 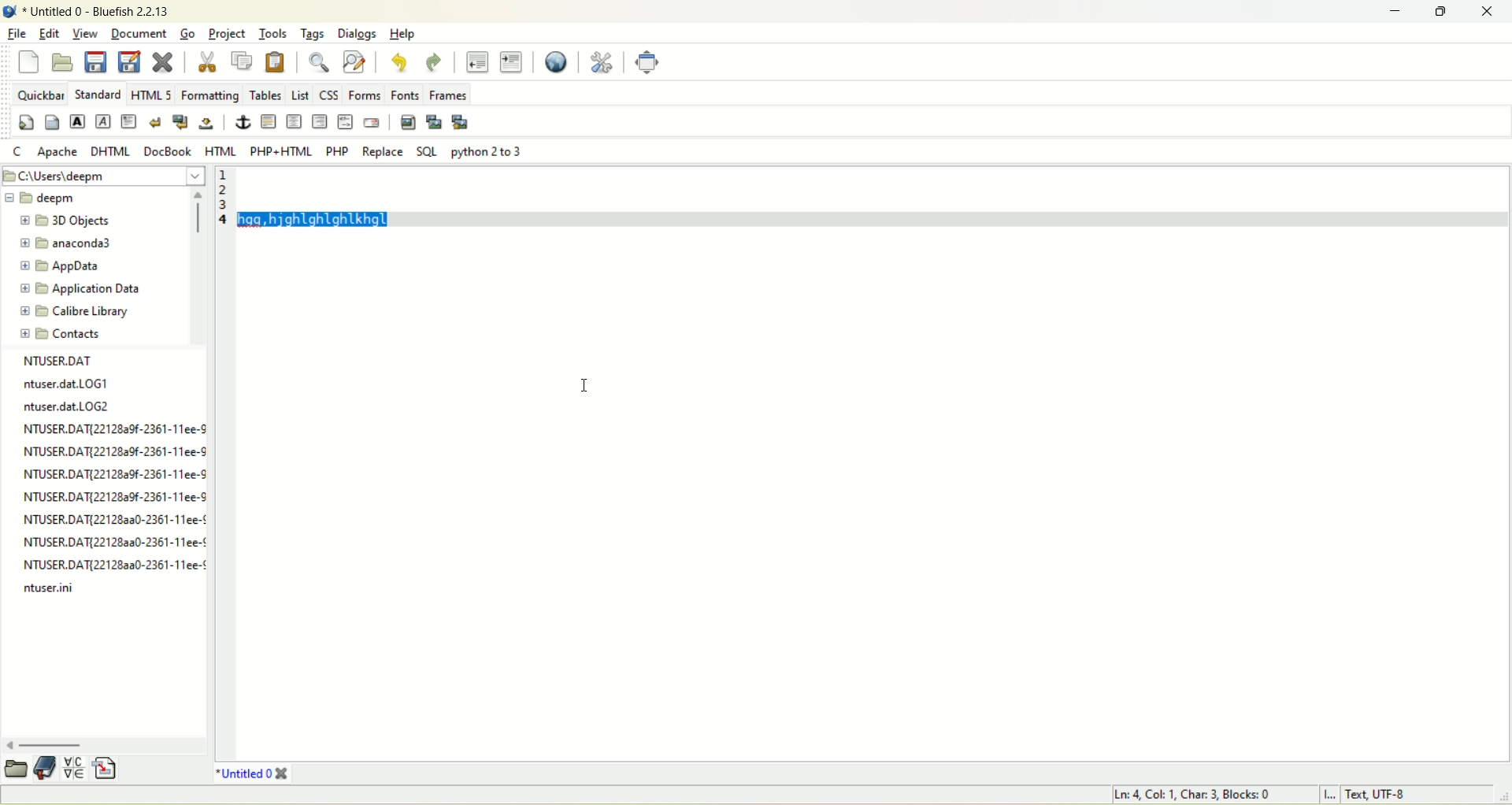 What do you see at coordinates (56, 362) in the screenshot?
I see `NTUSER.DAT` at bounding box center [56, 362].